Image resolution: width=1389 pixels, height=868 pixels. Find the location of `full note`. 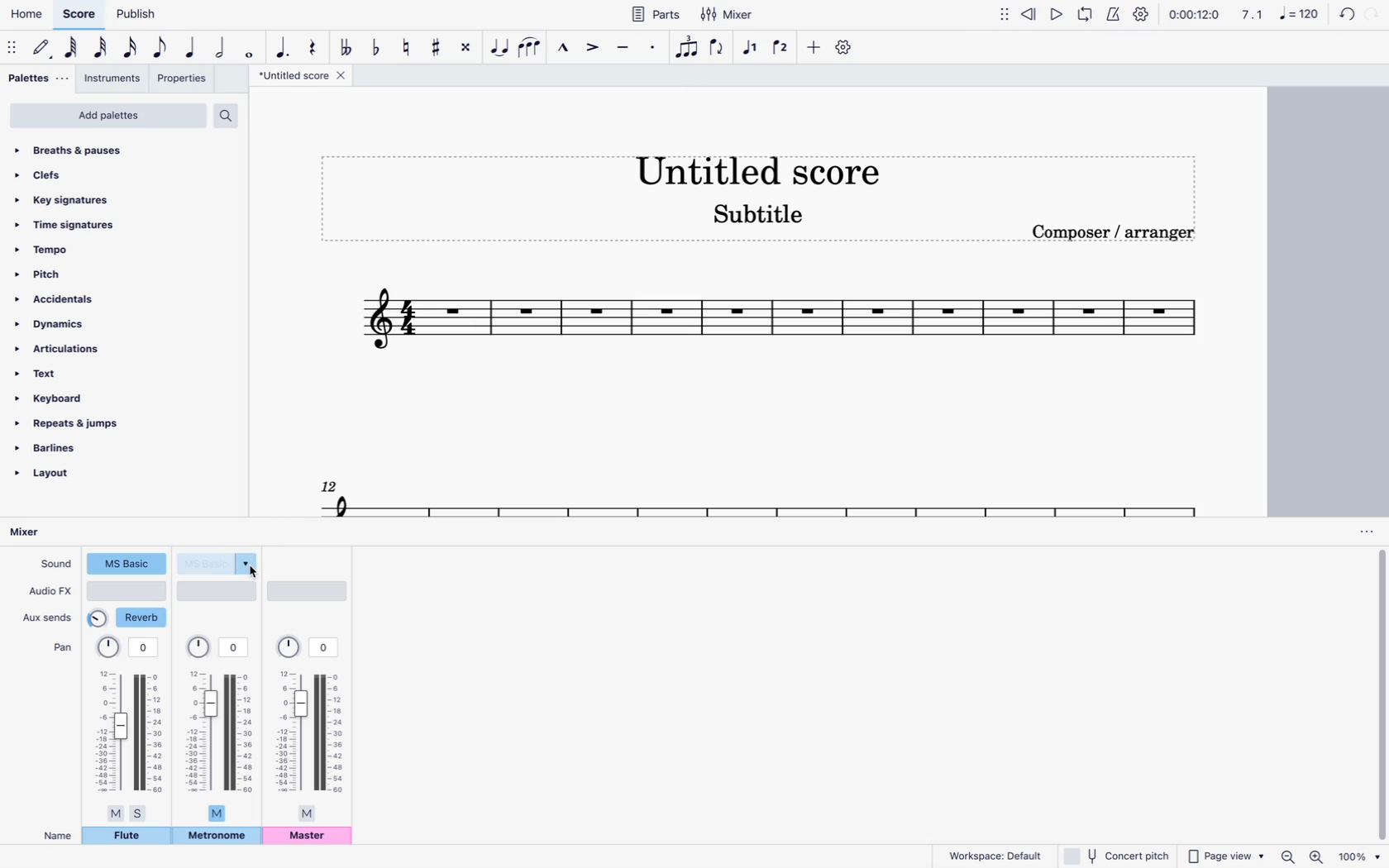

full note is located at coordinates (252, 50).